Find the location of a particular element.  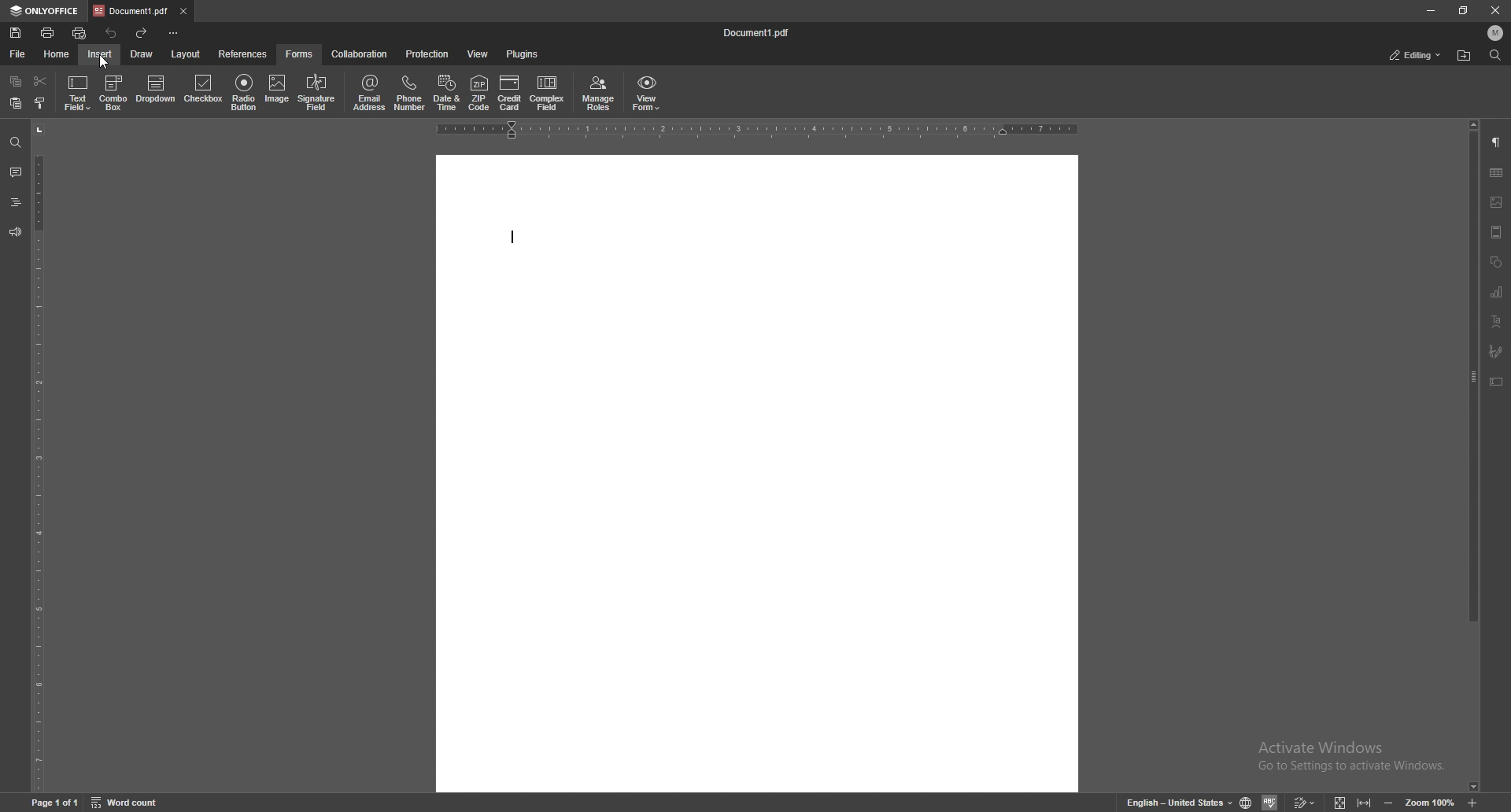

credit card is located at coordinates (511, 93).